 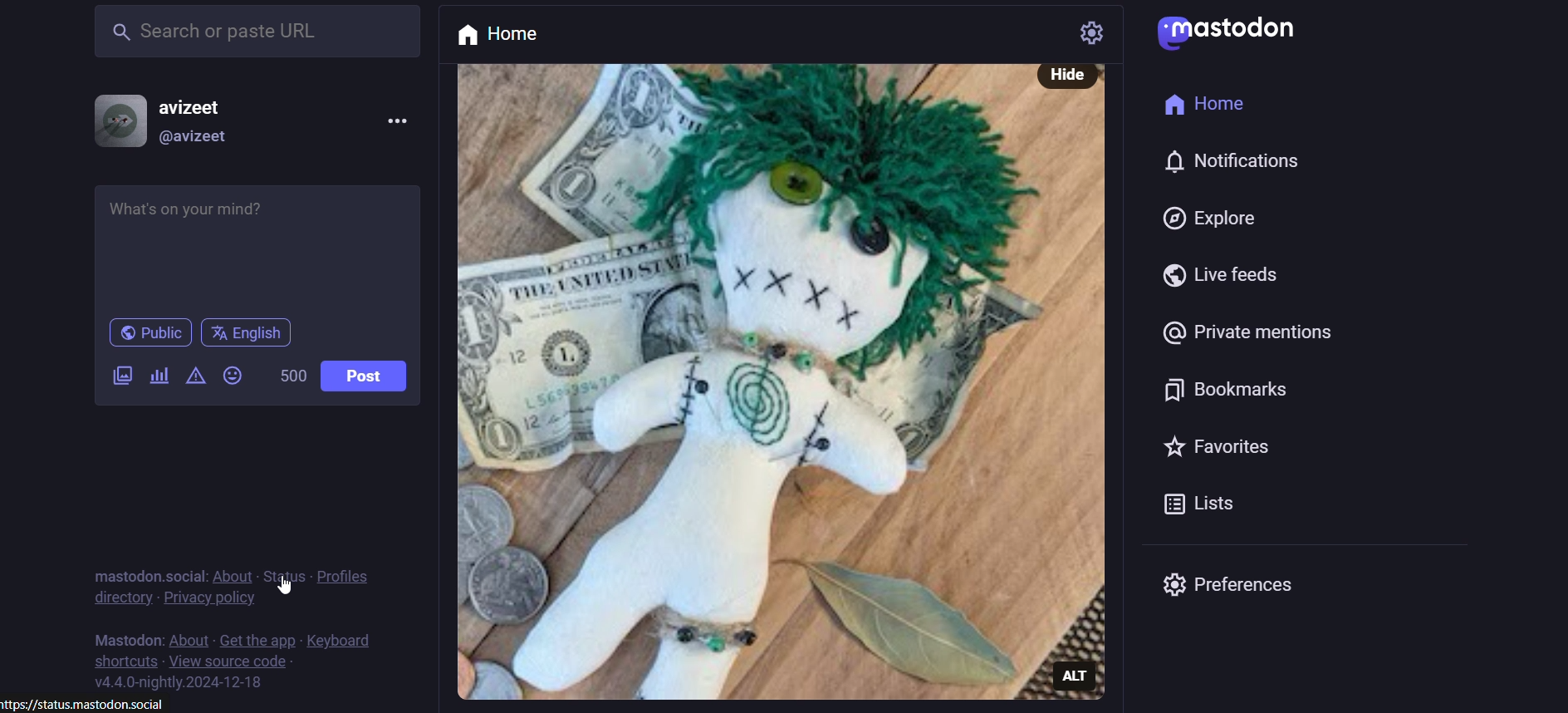 I want to click on shortcuts, so click(x=118, y=661).